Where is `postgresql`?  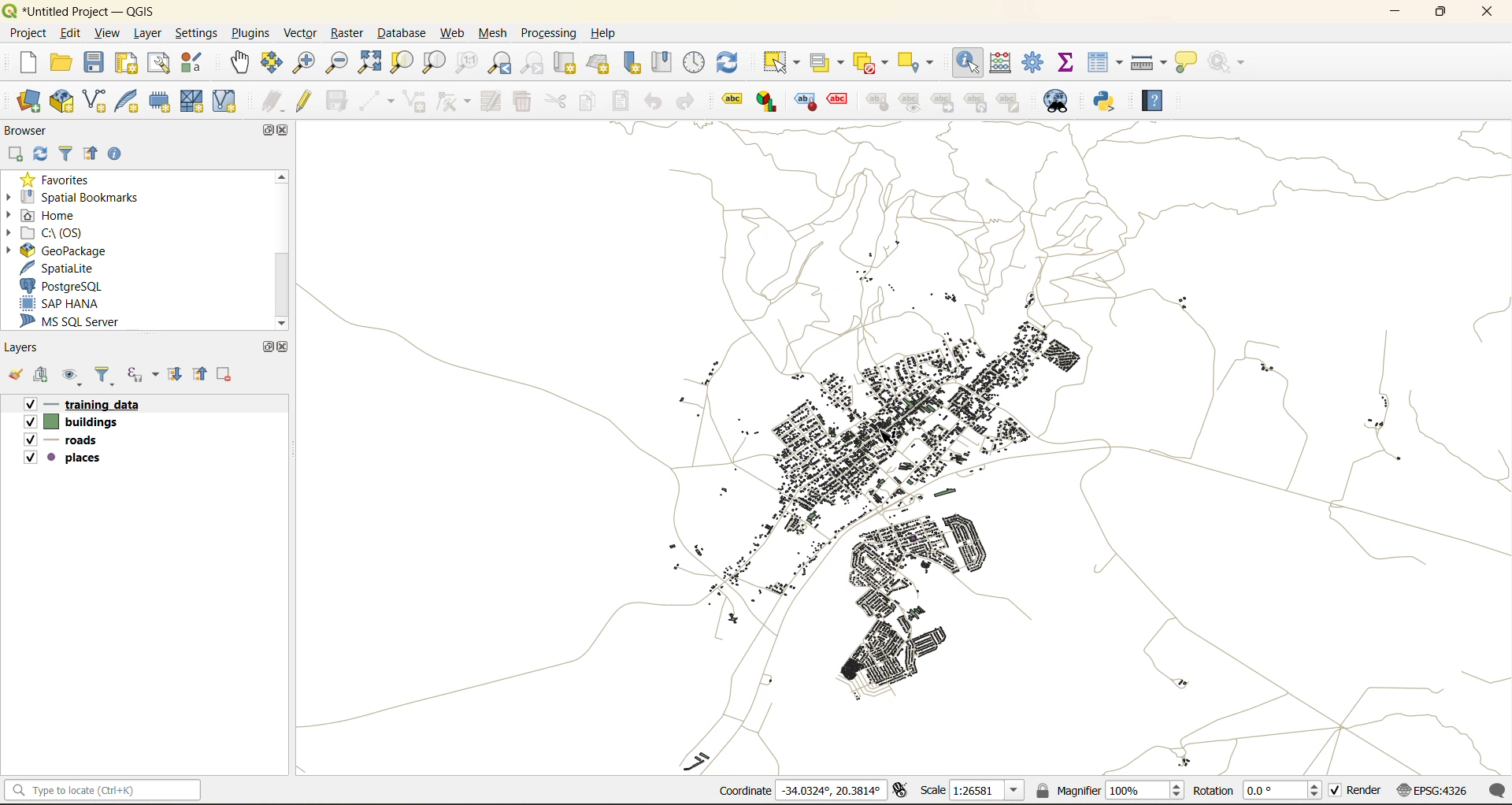
postgresql is located at coordinates (73, 286).